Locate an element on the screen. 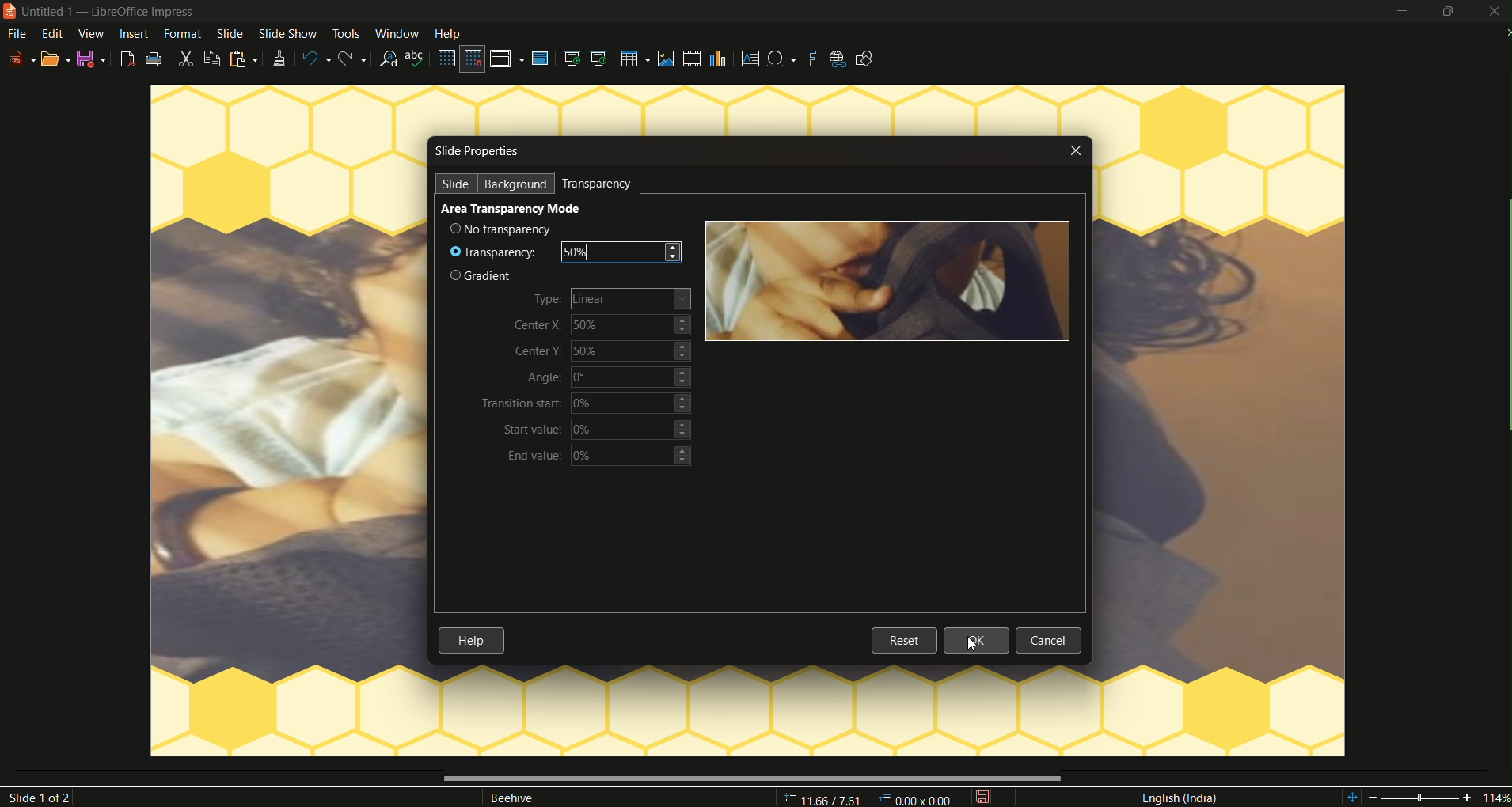 This screenshot has height=807, width=1512. edit is located at coordinates (54, 34).